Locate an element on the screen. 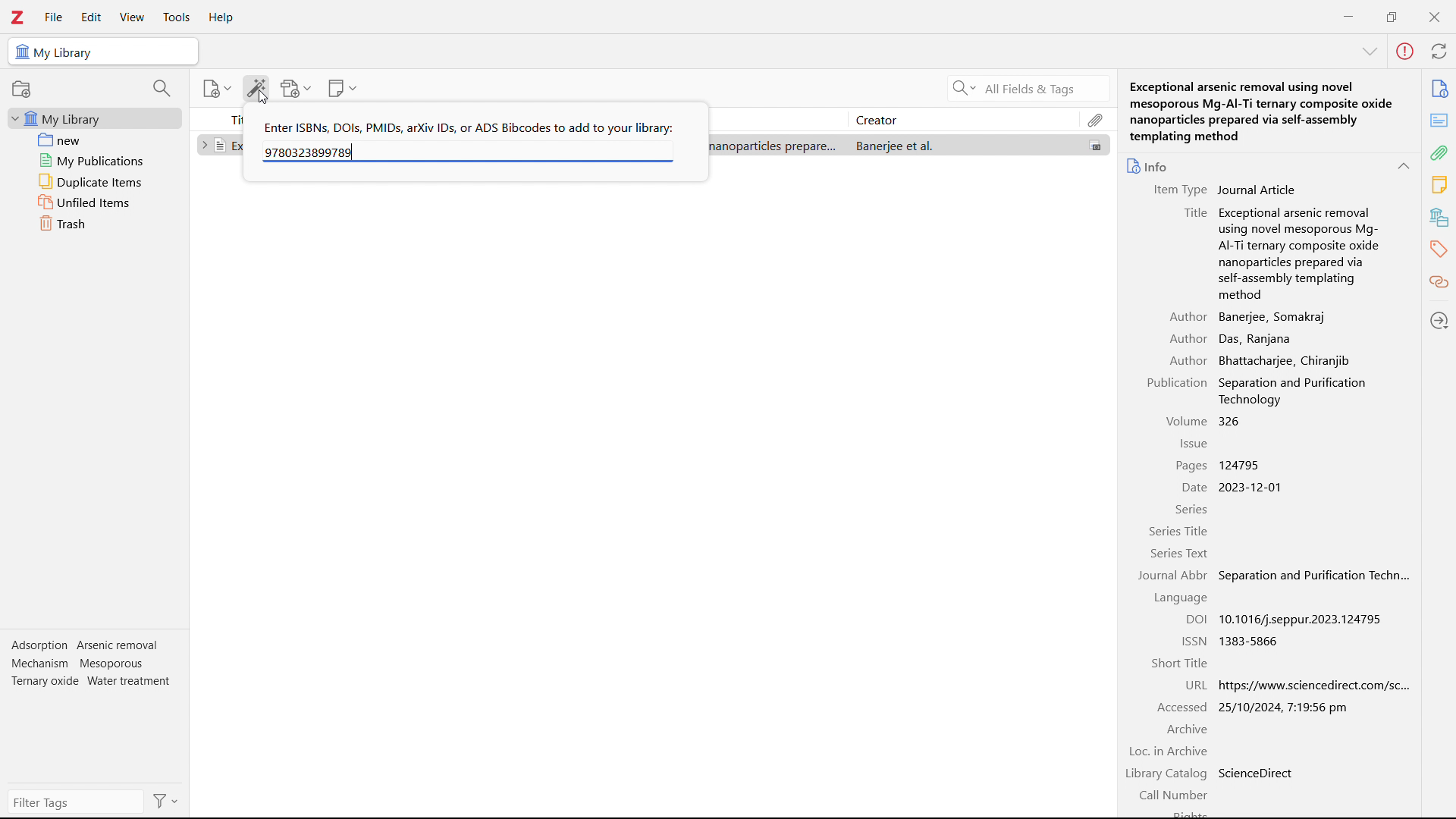 This screenshot has height=819, width=1456. notes is located at coordinates (1440, 185).